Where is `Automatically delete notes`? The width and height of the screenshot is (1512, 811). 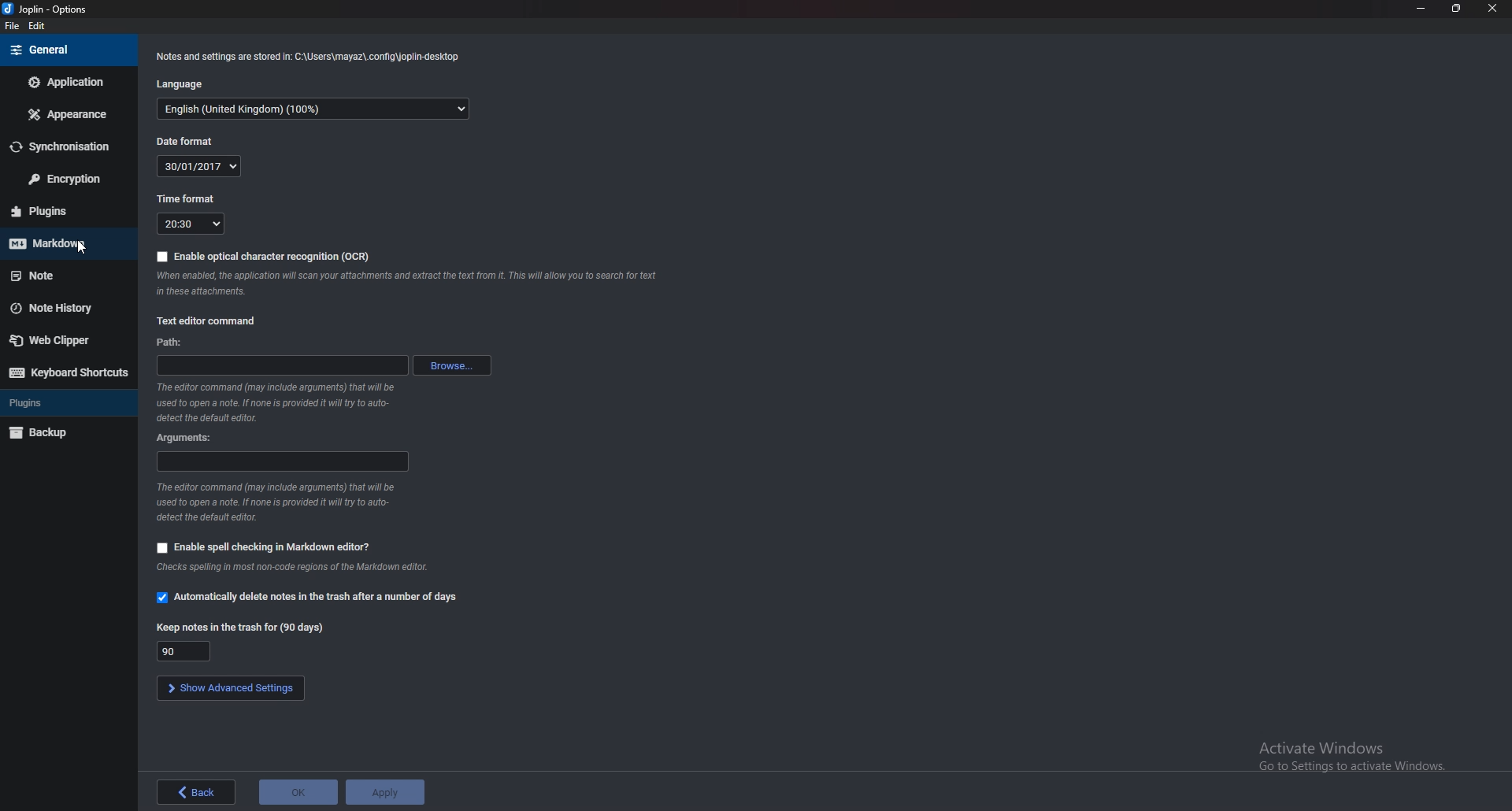 Automatically delete notes is located at coordinates (310, 599).